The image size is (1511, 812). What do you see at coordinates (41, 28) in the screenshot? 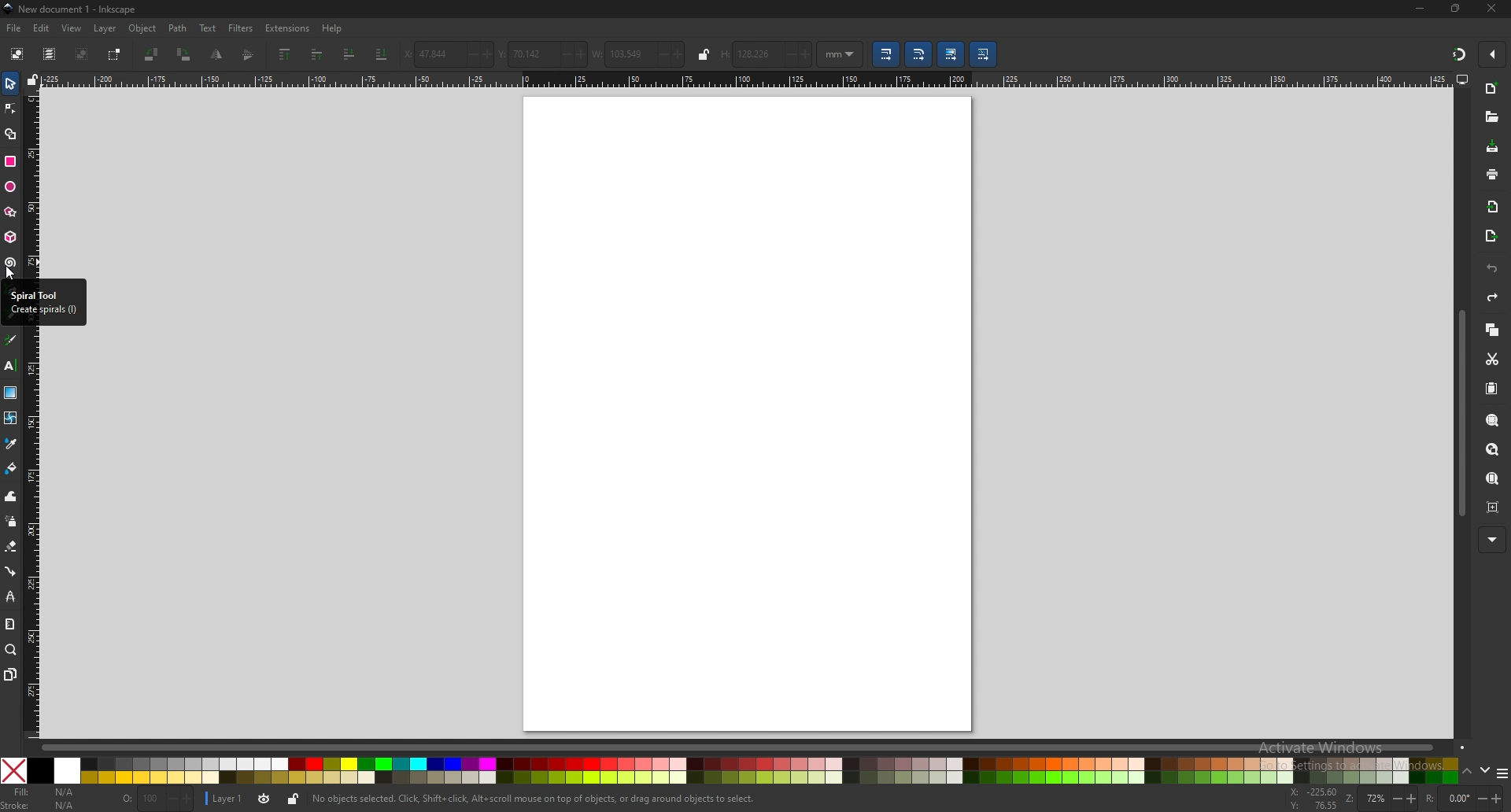
I see `edit` at bounding box center [41, 28].